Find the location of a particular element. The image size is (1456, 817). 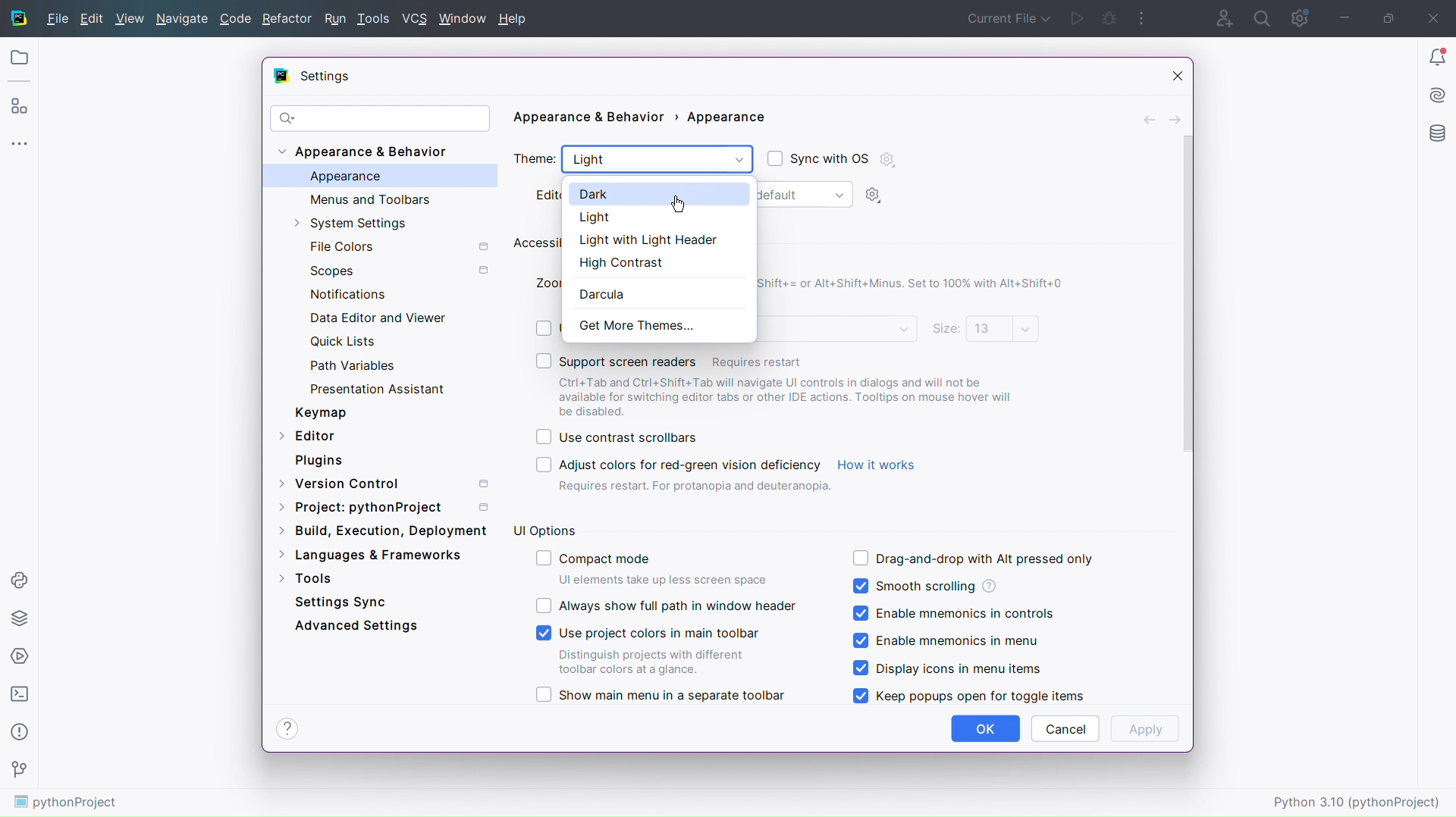

scrollbar is located at coordinates (1184, 293).